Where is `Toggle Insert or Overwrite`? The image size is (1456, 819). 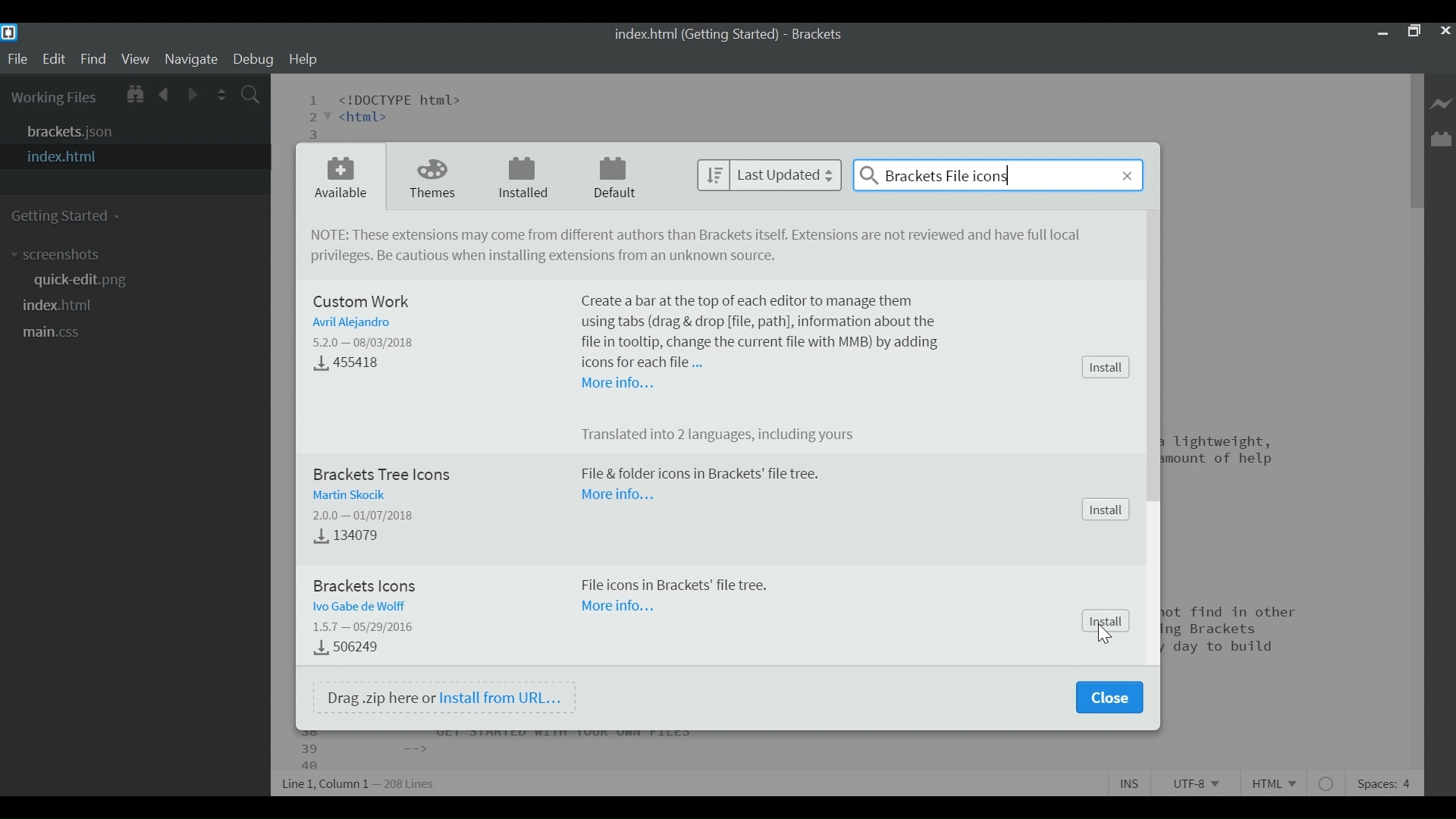 Toggle Insert or Overwrite is located at coordinates (1131, 783).